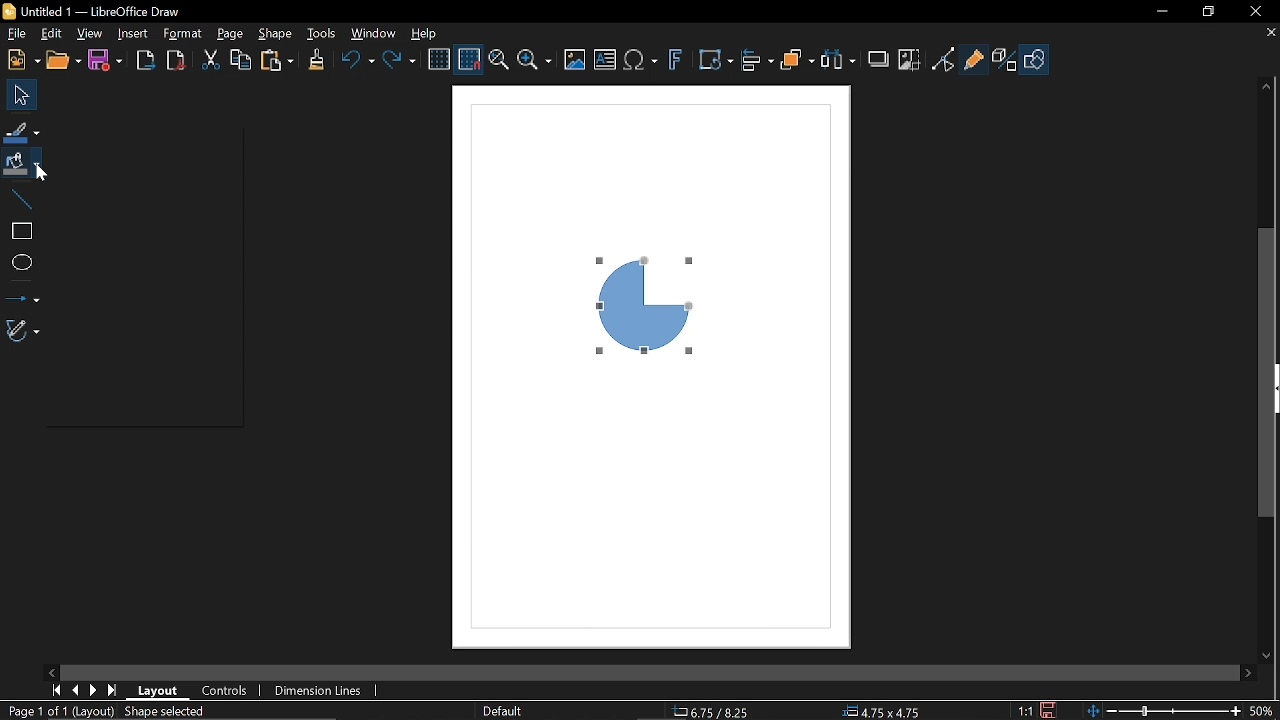 The width and height of the screenshot is (1280, 720). I want to click on Default (Slide master name), so click(506, 711).